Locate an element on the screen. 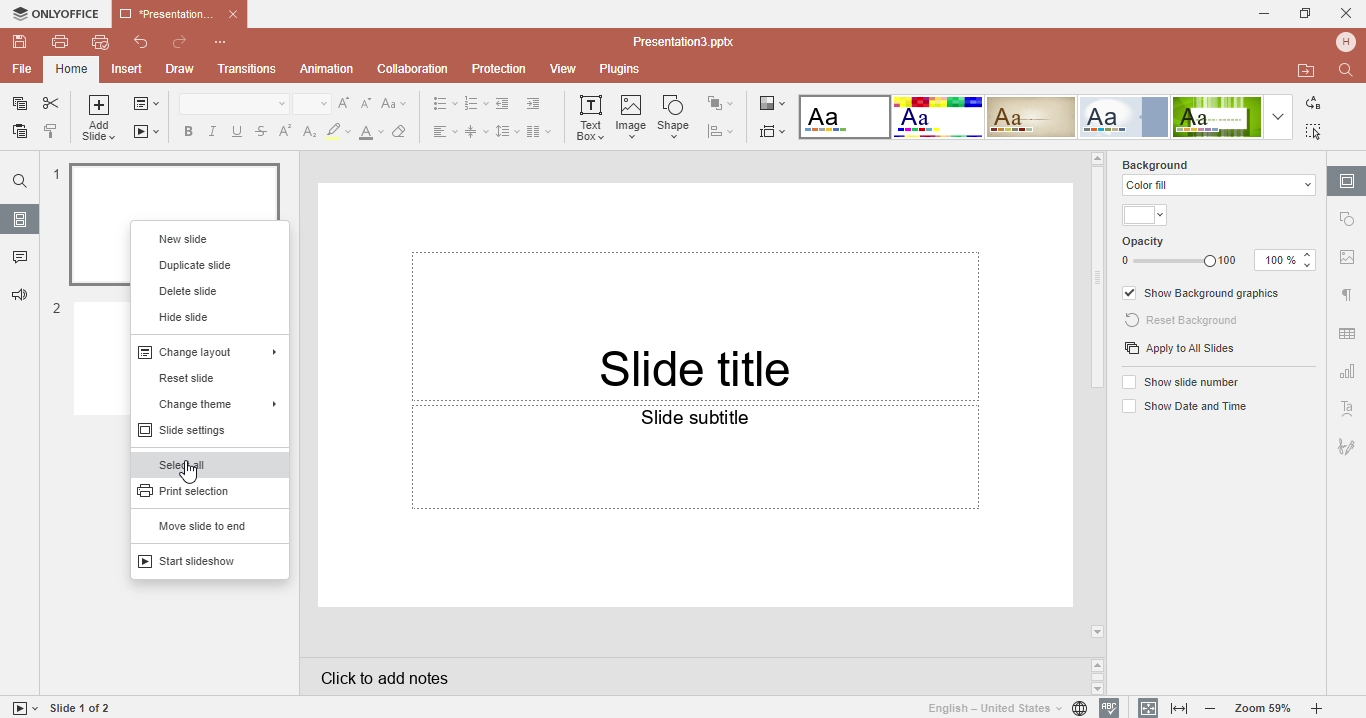 The height and width of the screenshot is (718, 1366). Paragraph settings is located at coordinates (1346, 295).